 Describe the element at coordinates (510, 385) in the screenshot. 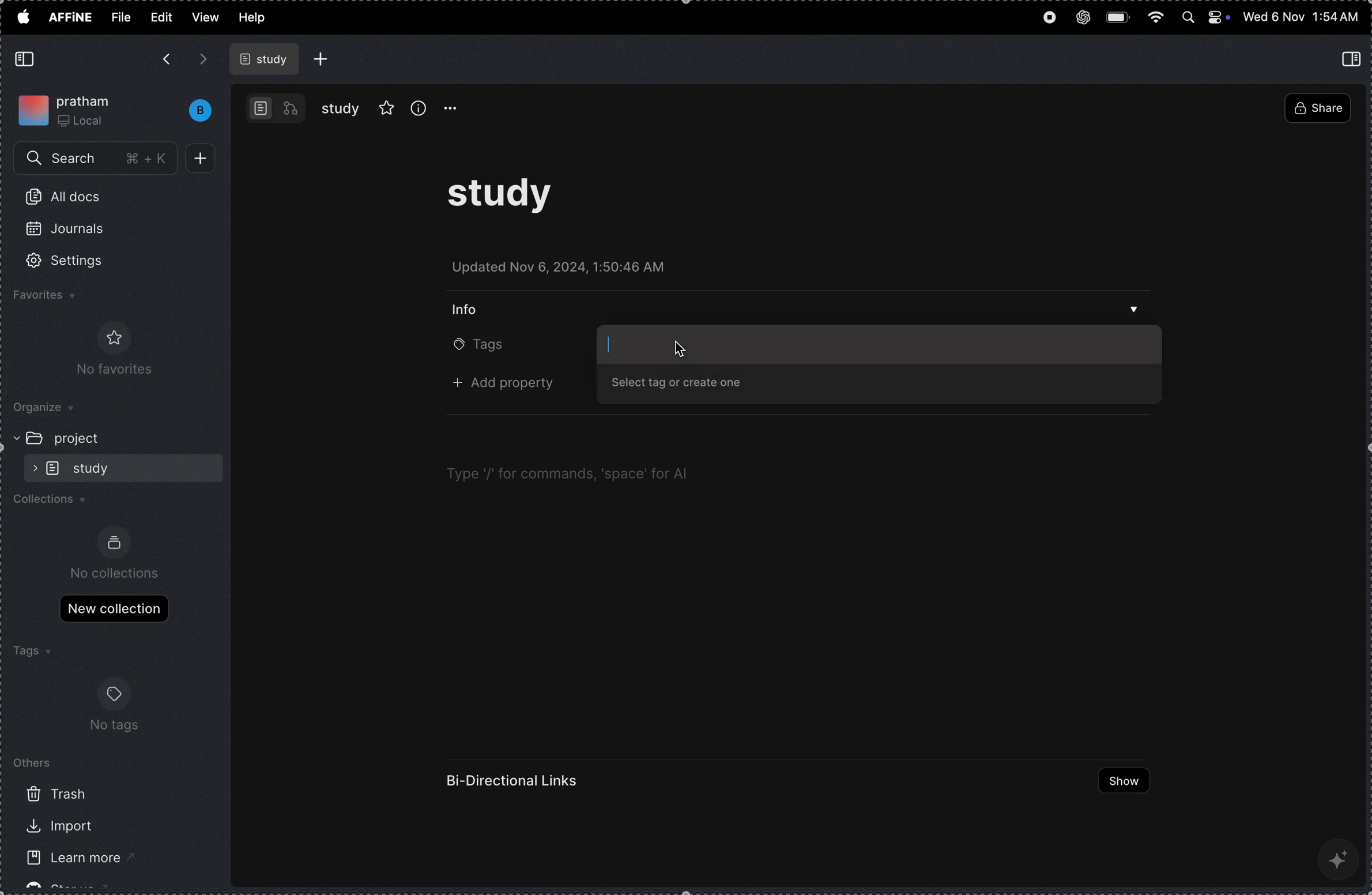

I see `+ add property` at that location.